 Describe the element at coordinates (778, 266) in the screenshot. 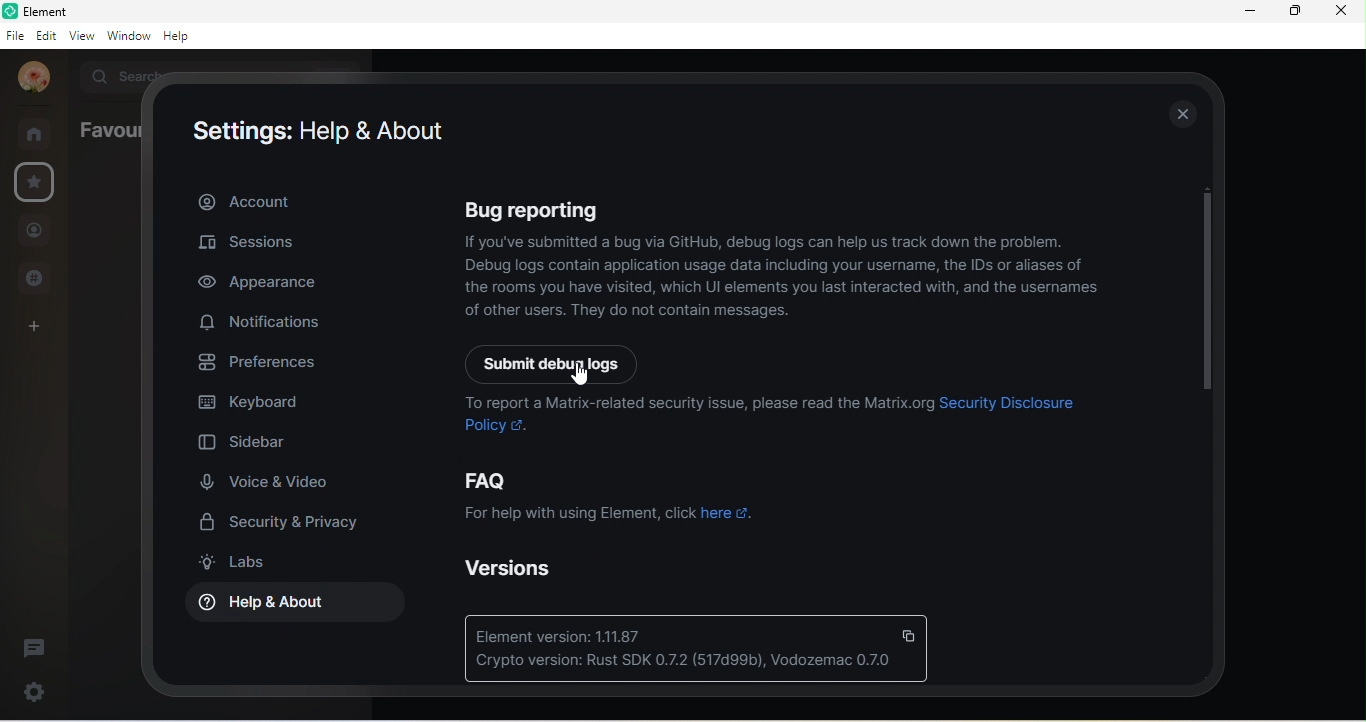

I see `debug logs containt application usage data including your username, the IDs or aliases of` at that location.